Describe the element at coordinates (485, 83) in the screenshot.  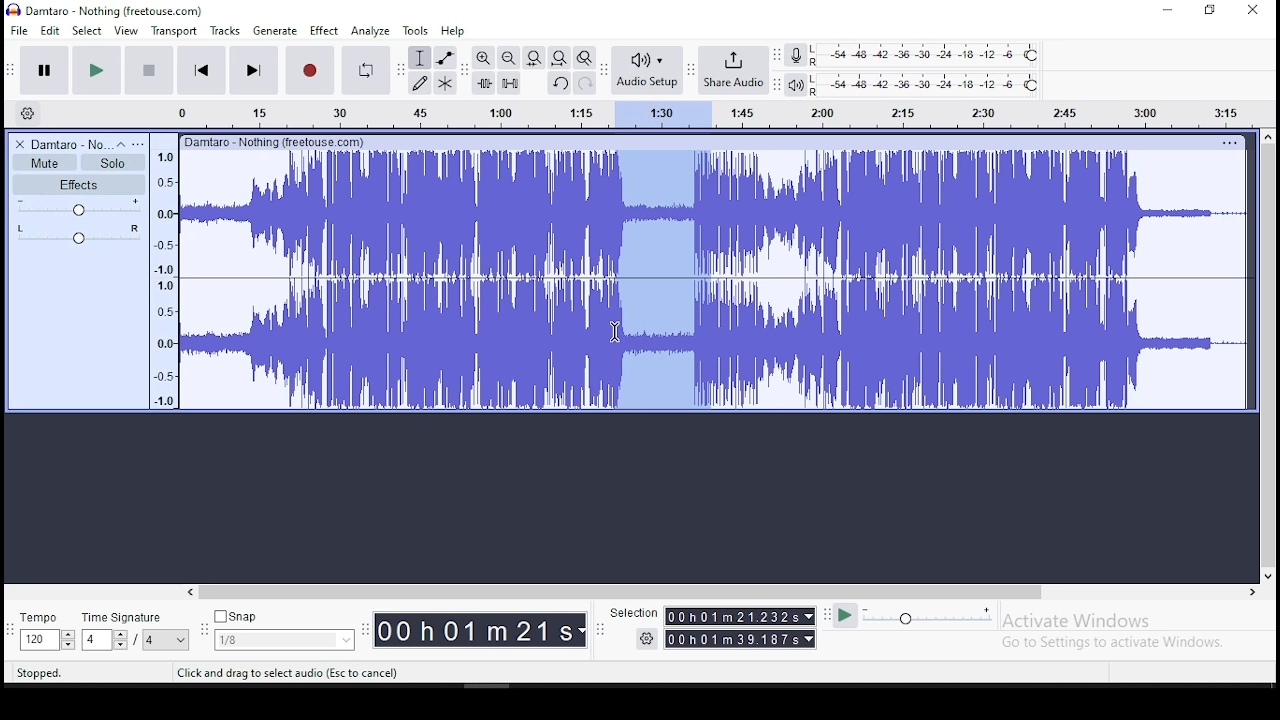
I see `trim audio outside selection` at that location.